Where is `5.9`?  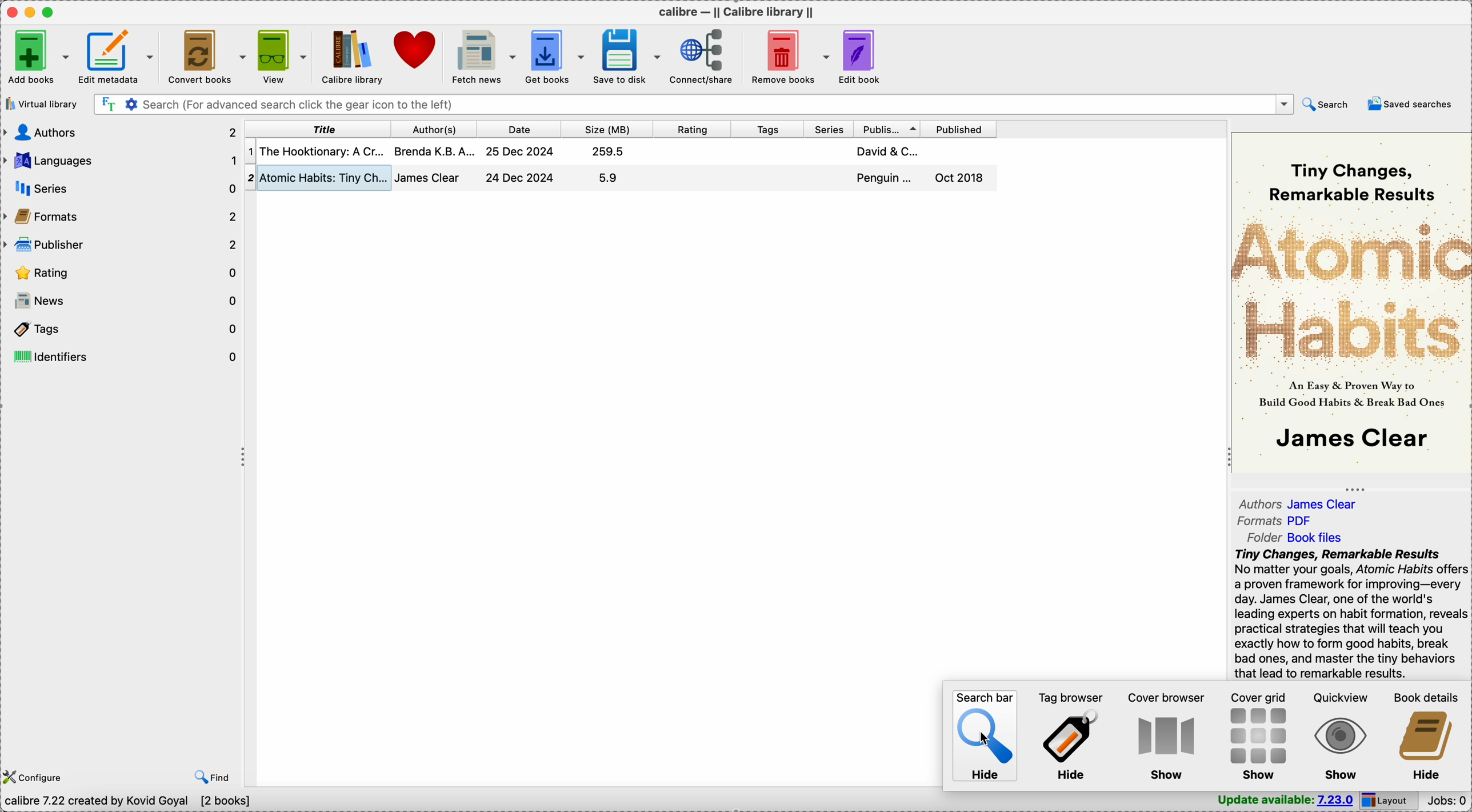
5.9 is located at coordinates (609, 178).